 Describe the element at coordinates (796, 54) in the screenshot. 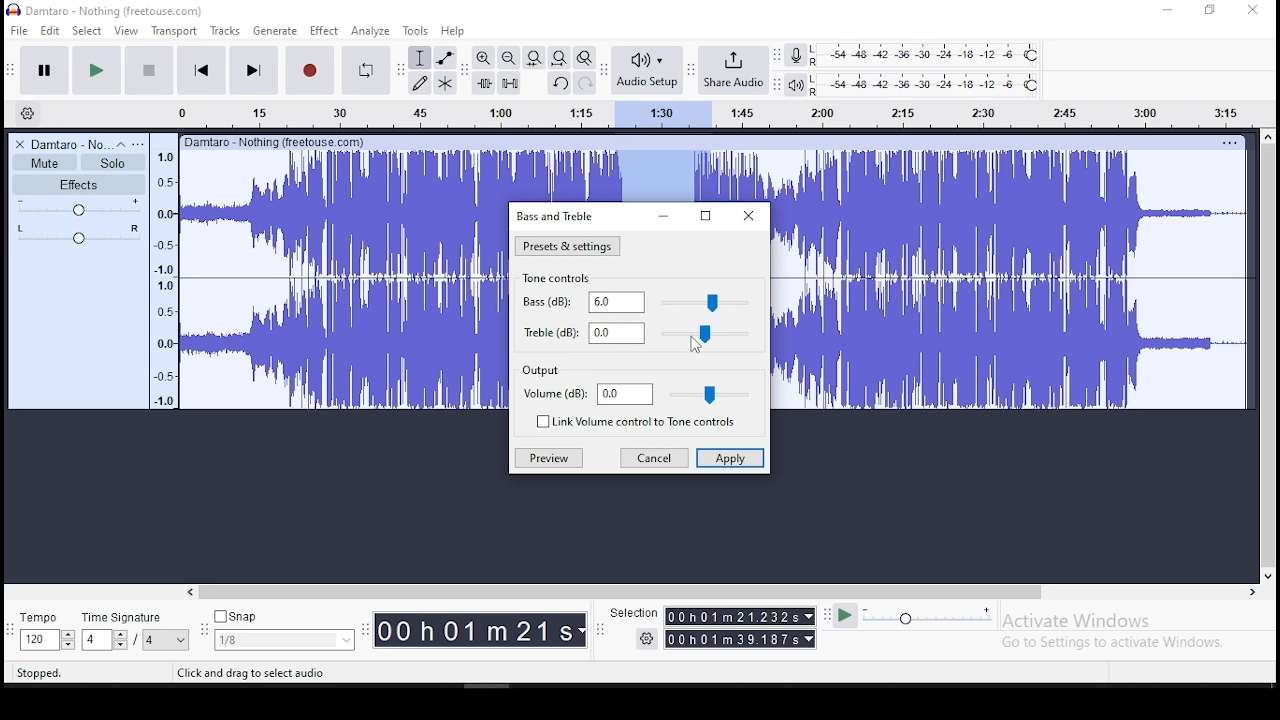

I see `record meter` at that location.